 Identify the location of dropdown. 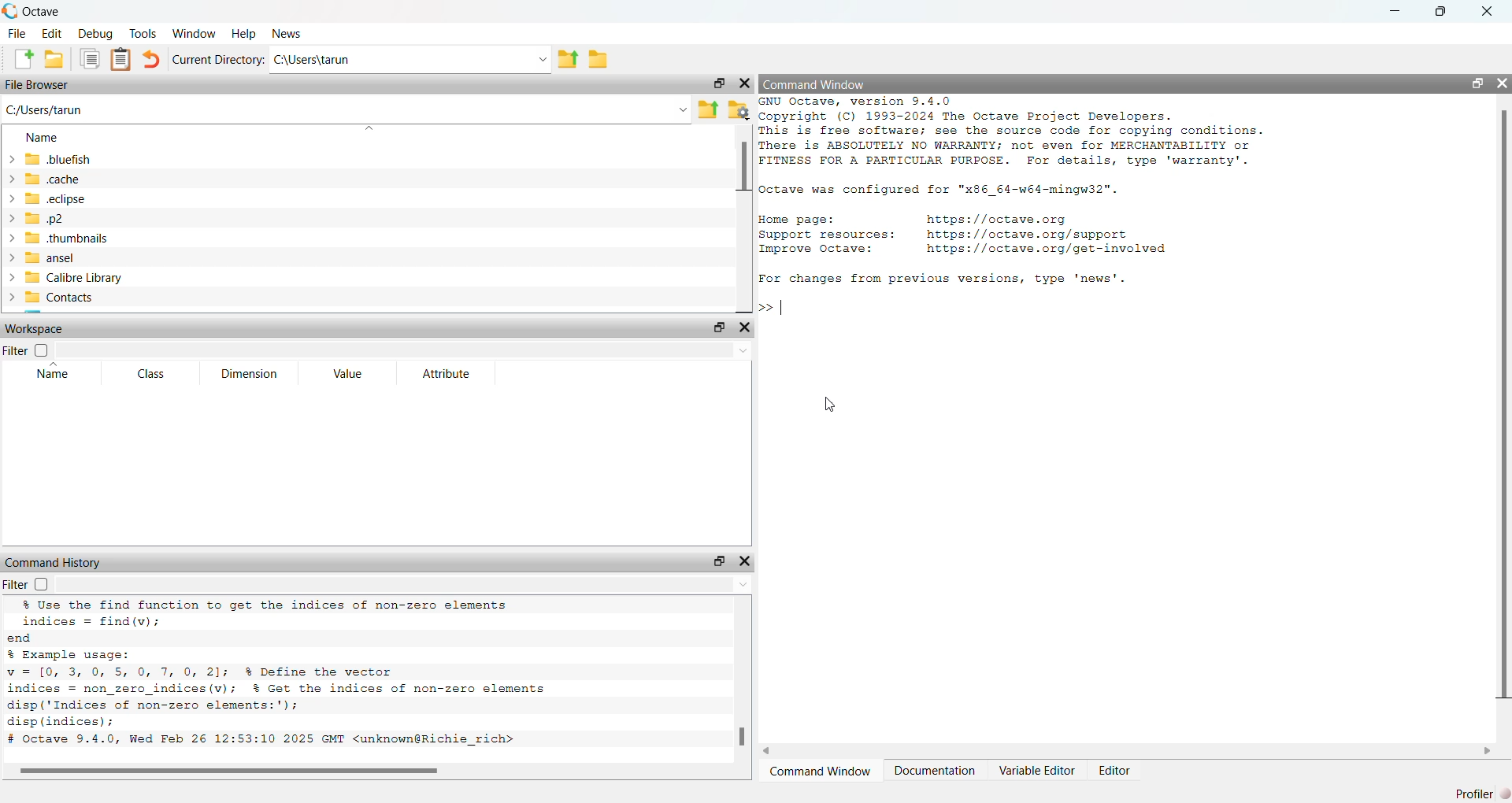
(408, 587).